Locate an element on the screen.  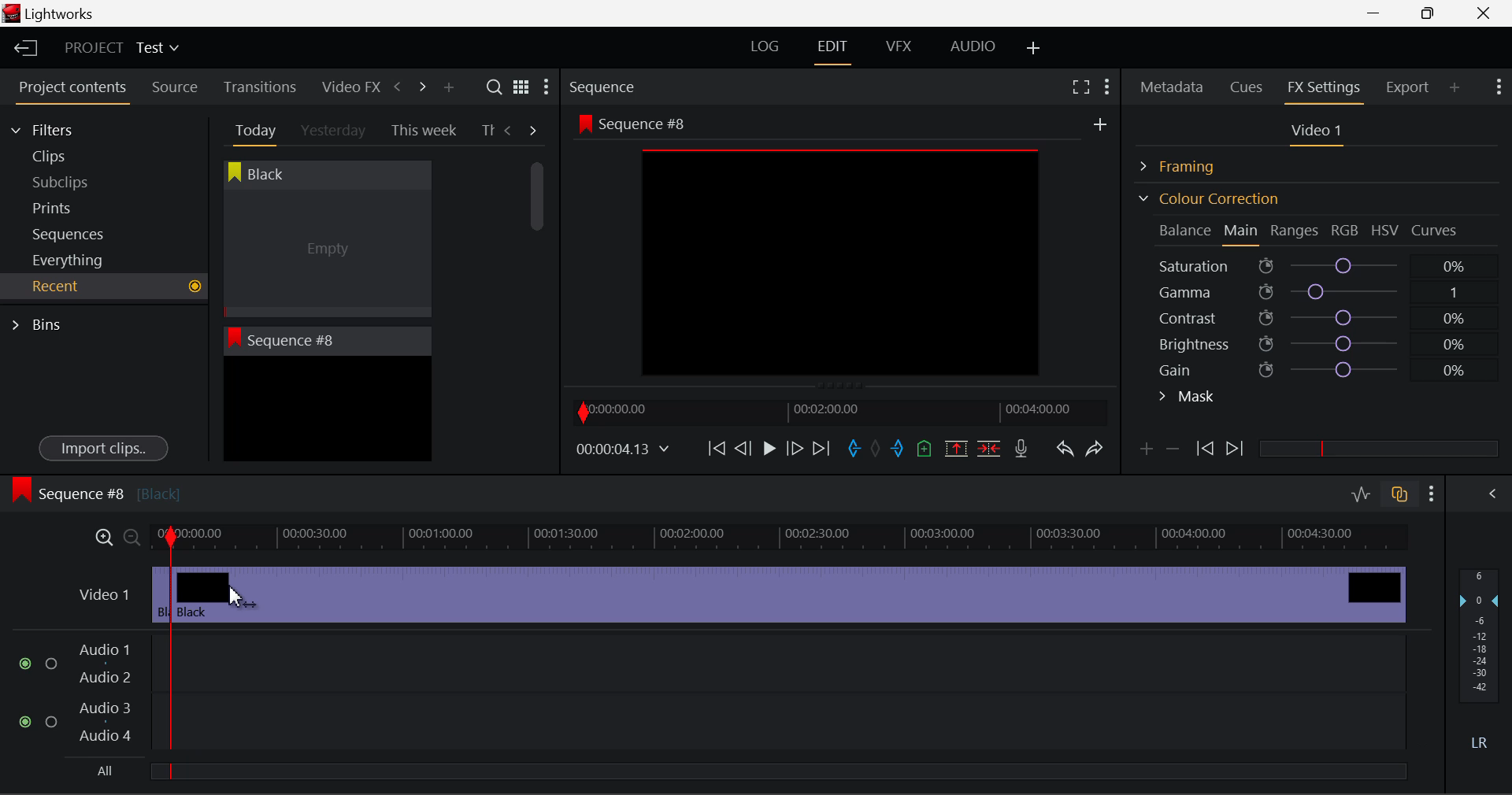
Framing Section is located at coordinates (1190, 164).